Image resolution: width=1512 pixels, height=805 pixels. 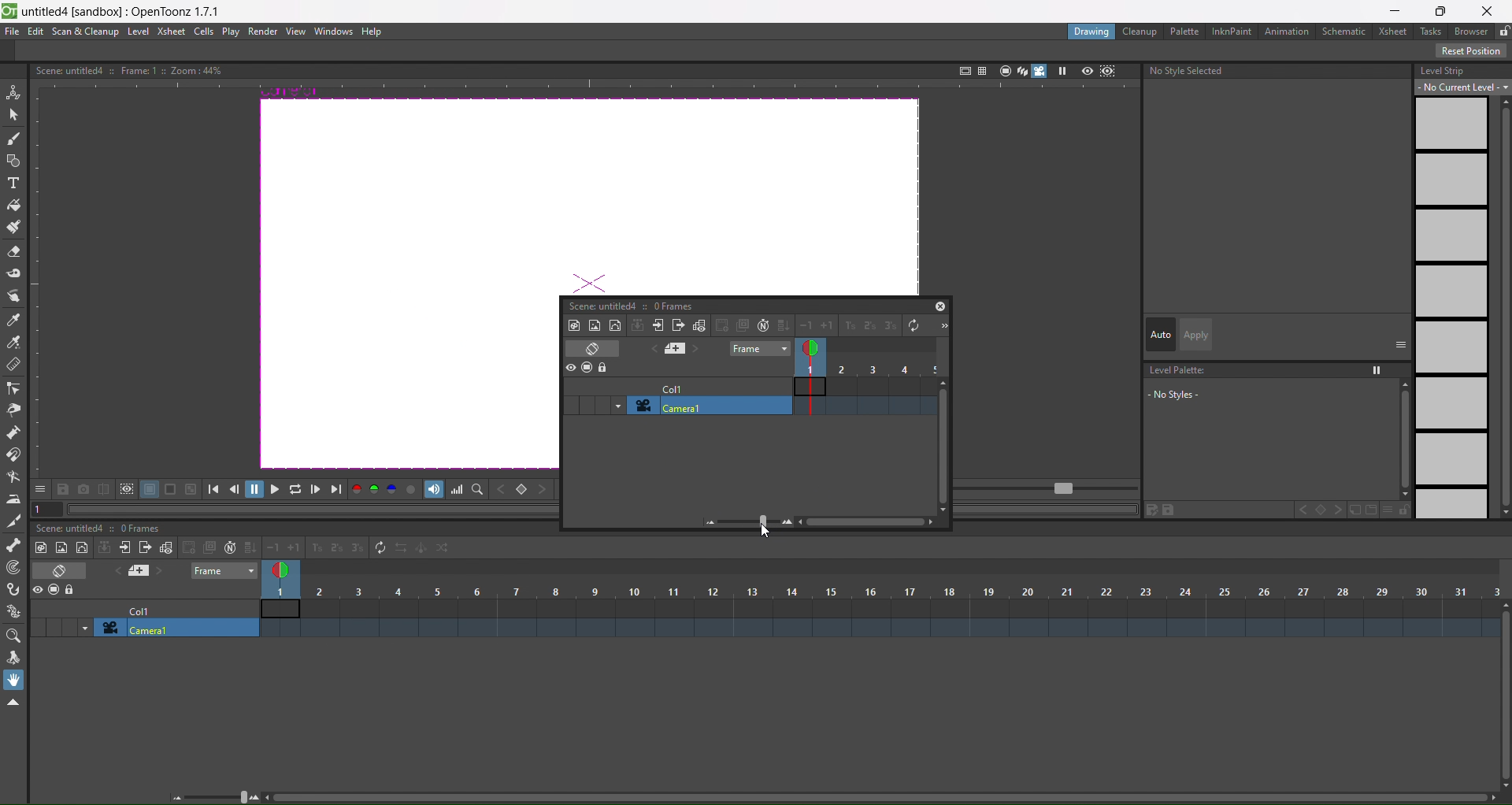 I want to click on icon, so click(x=587, y=368).